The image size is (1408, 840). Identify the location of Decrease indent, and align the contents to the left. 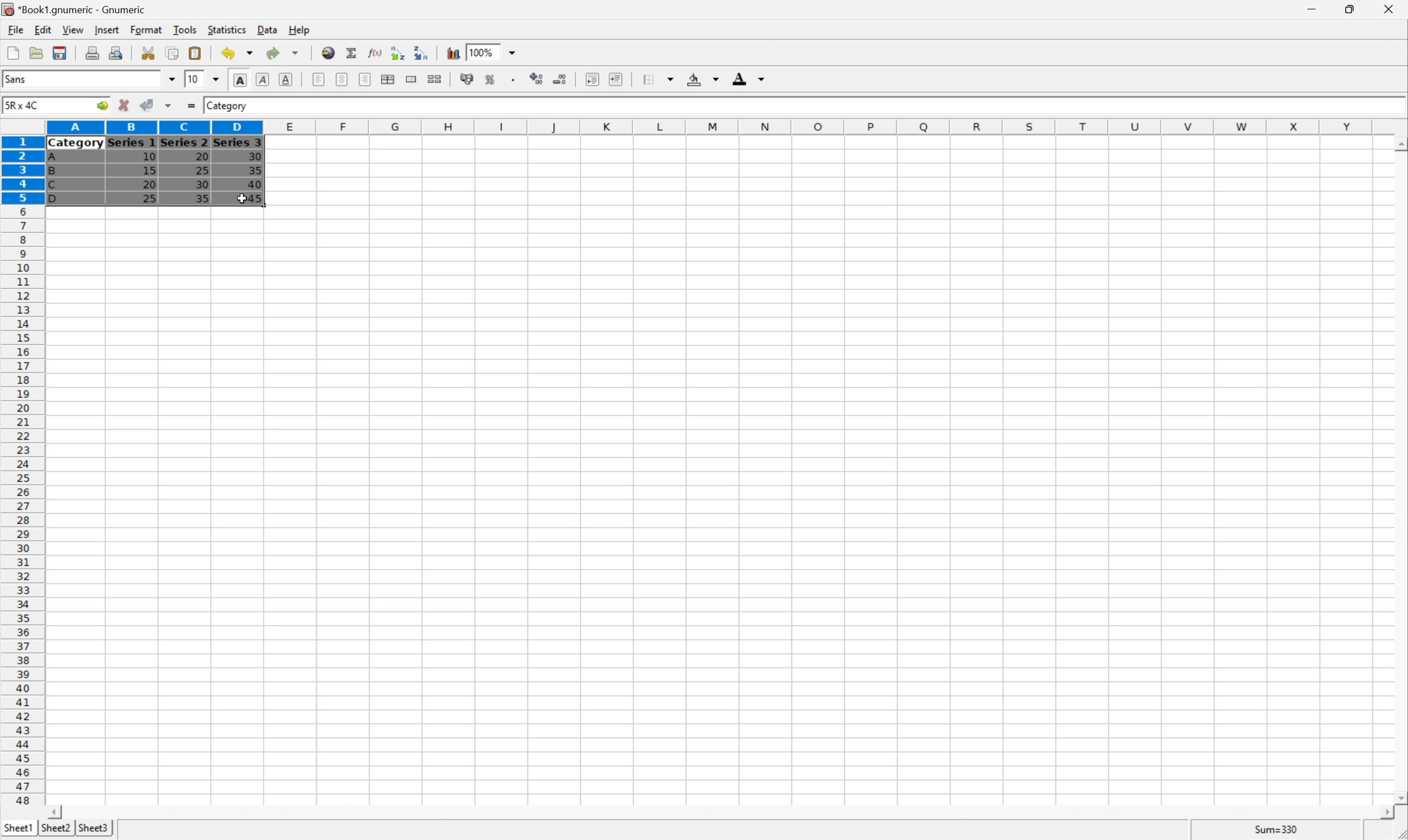
(592, 79).